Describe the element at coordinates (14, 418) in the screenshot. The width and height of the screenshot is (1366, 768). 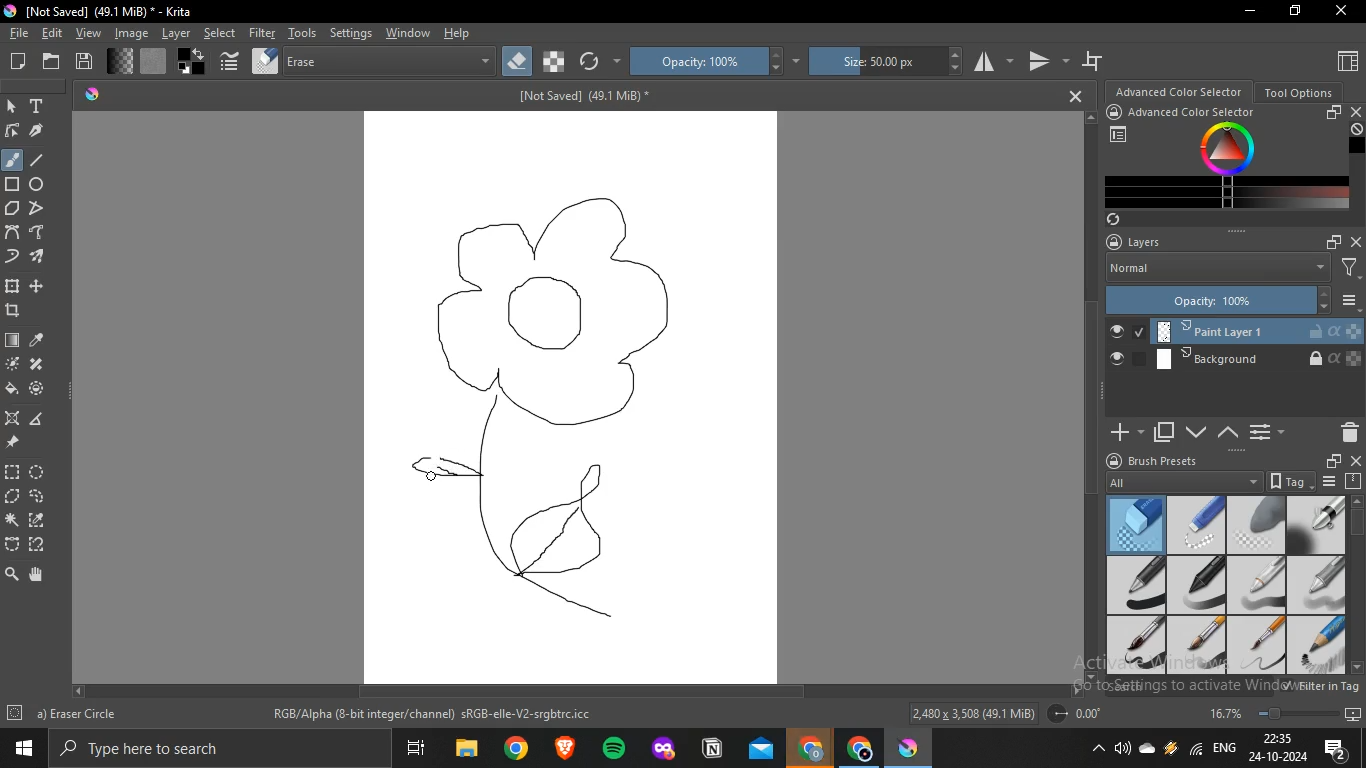
I see `assitant tool` at that location.